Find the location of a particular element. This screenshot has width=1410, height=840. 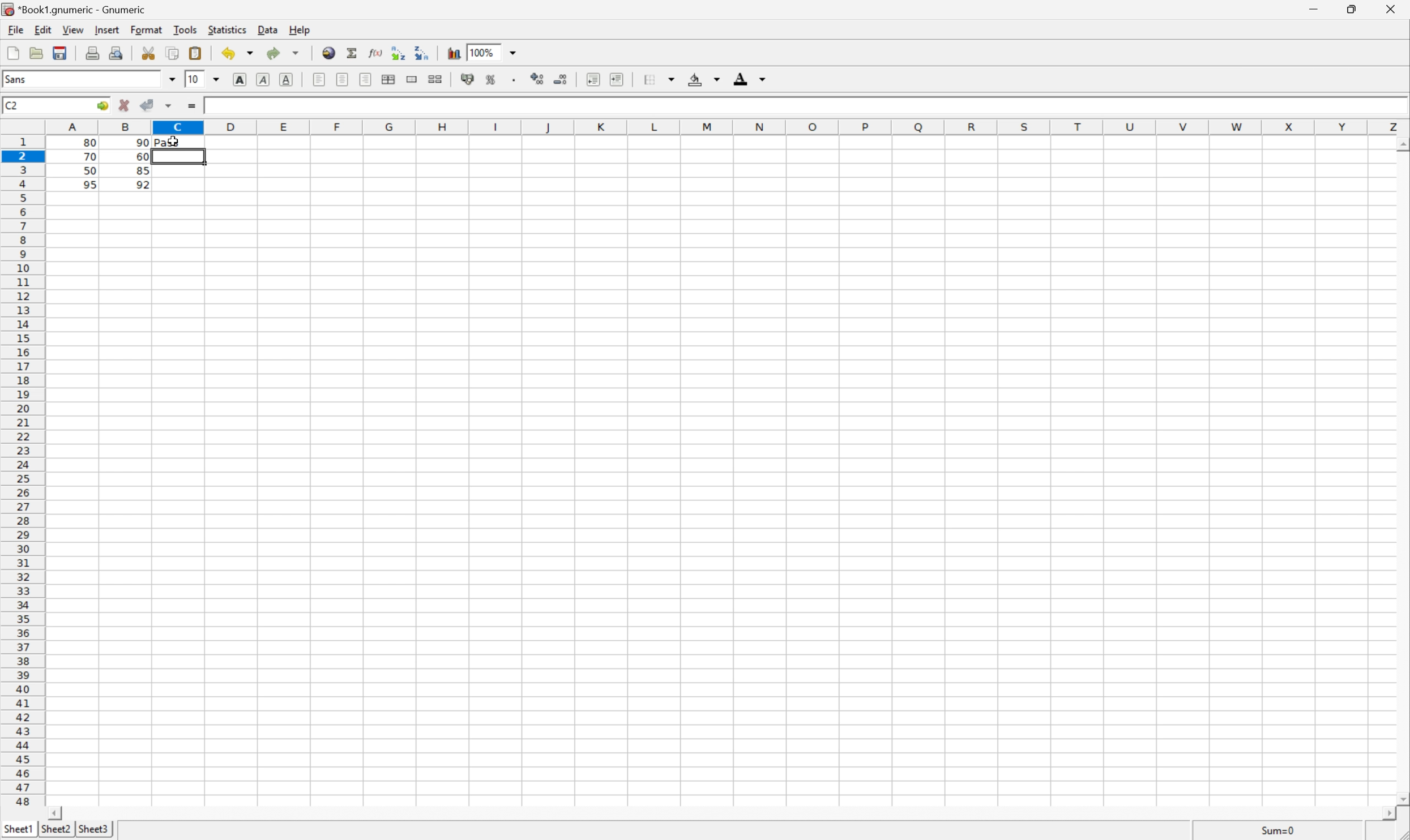

60 is located at coordinates (142, 156).